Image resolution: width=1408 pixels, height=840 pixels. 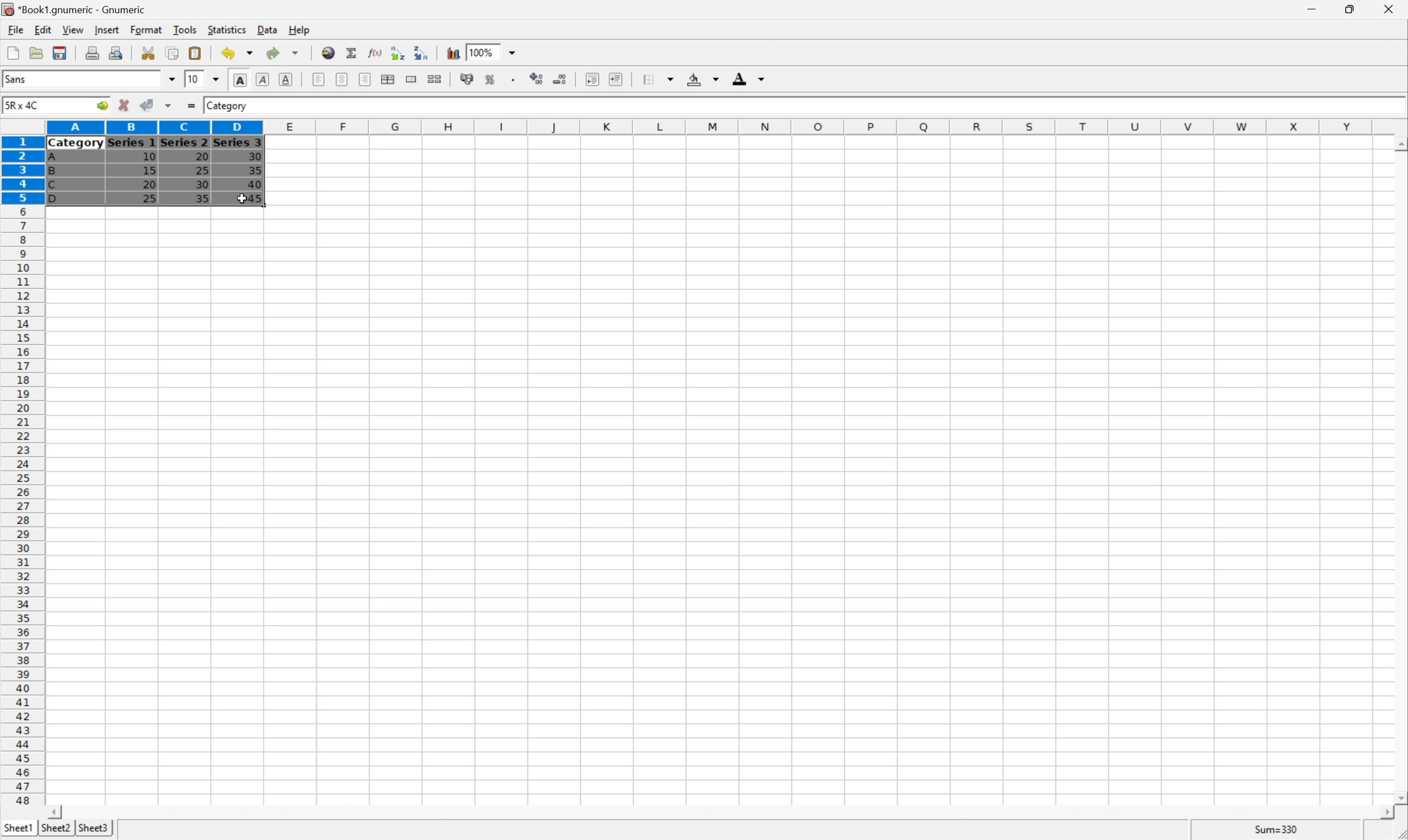 I want to click on Scroll Down, so click(x=1399, y=799).